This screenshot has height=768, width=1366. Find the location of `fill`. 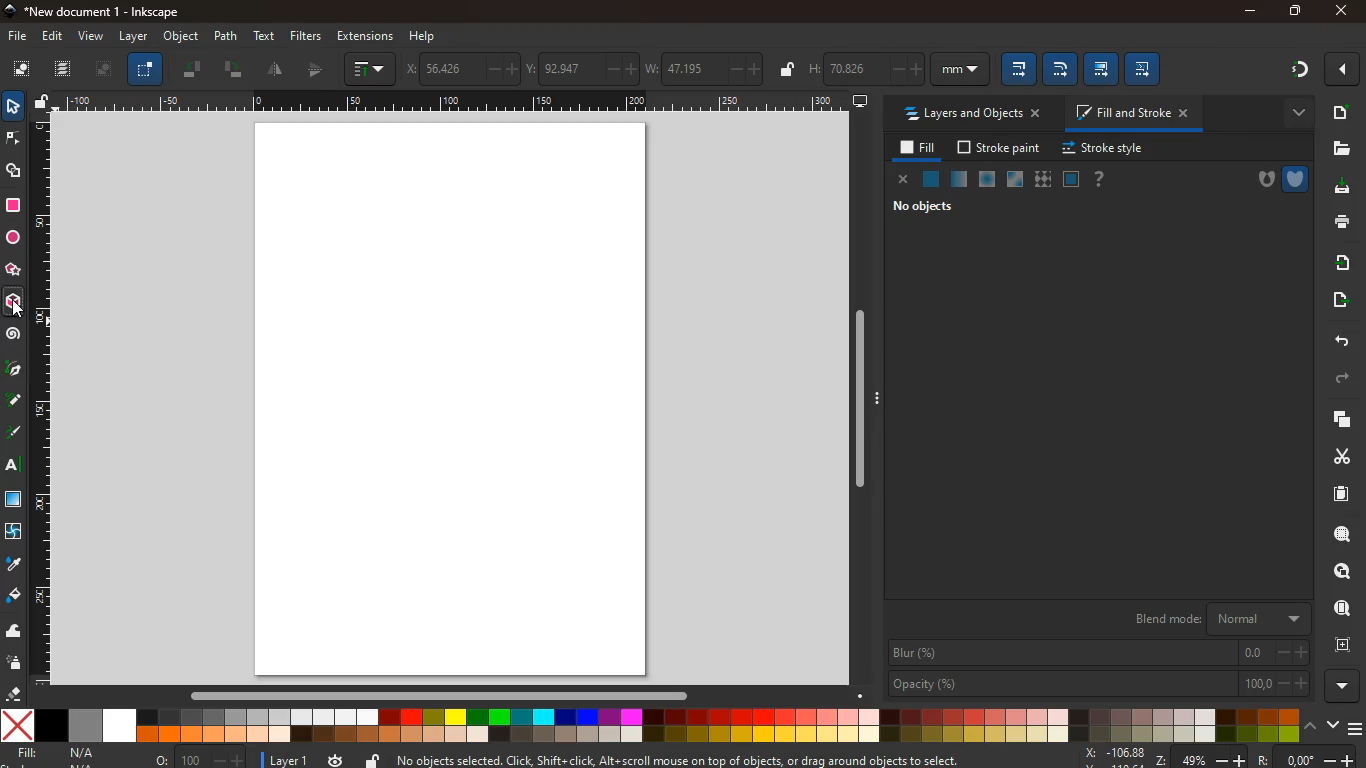

fill is located at coordinates (915, 148).